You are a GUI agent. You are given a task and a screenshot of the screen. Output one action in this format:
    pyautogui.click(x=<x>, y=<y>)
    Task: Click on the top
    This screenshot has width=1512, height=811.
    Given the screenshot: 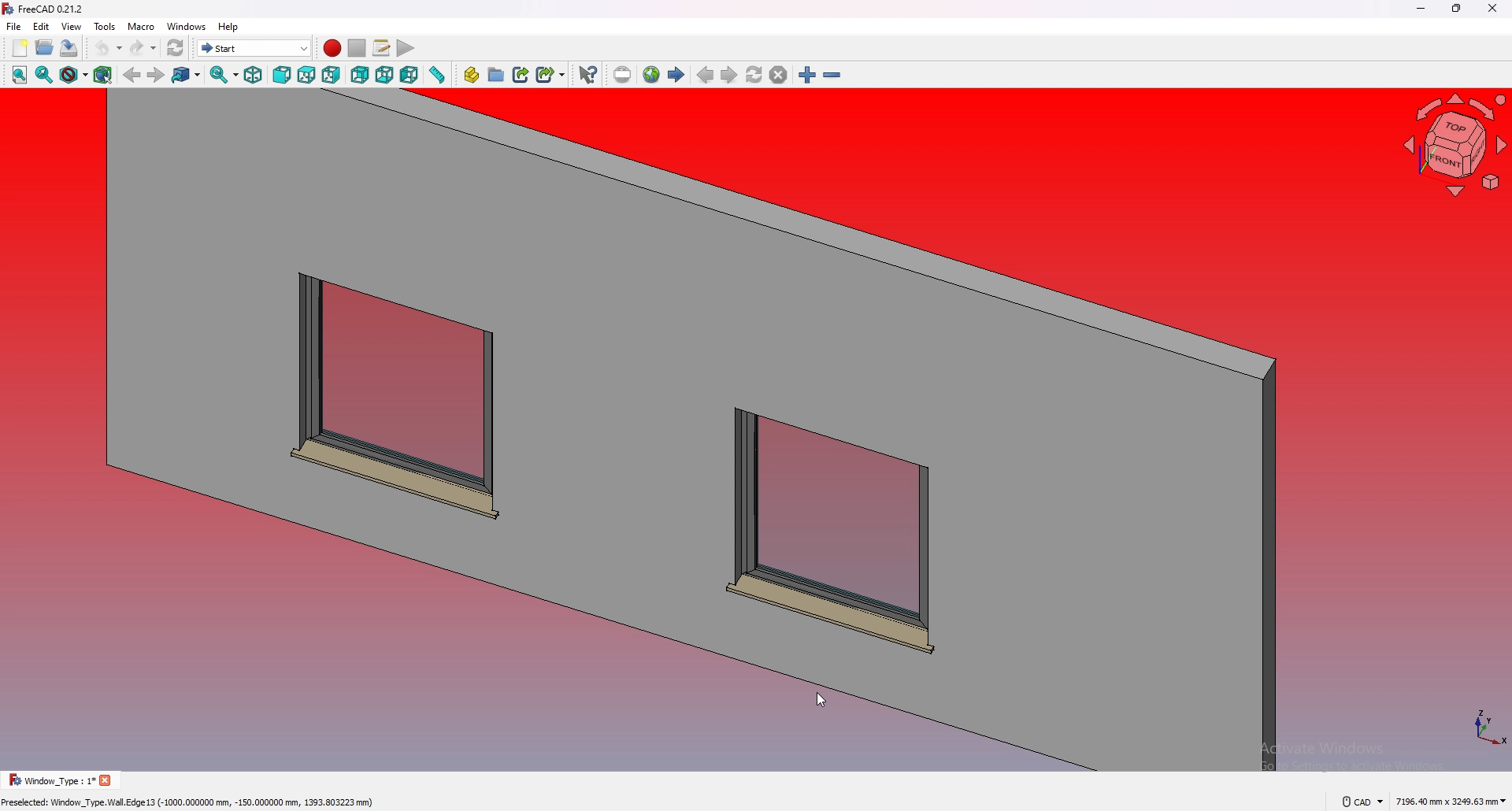 What is the action you would take?
    pyautogui.click(x=306, y=76)
    